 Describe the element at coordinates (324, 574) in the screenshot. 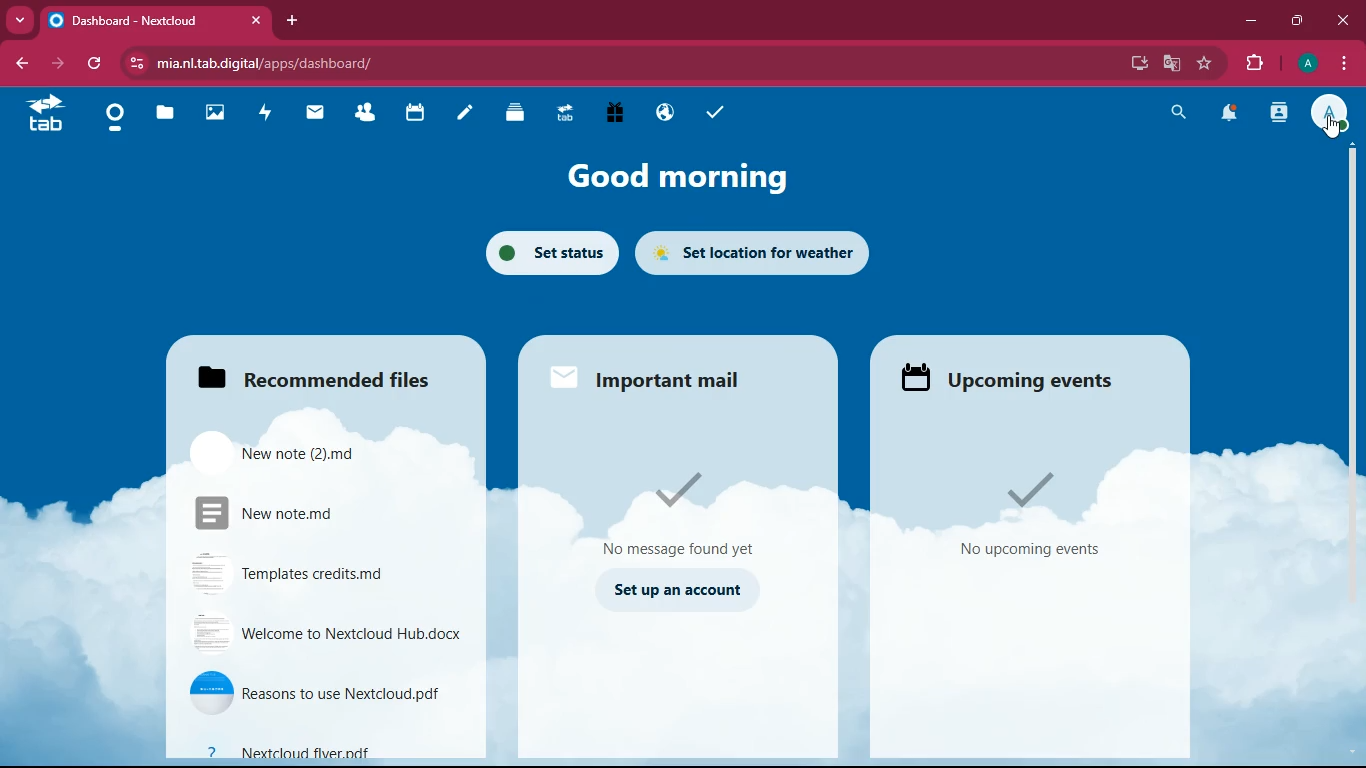

I see `file` at that location.